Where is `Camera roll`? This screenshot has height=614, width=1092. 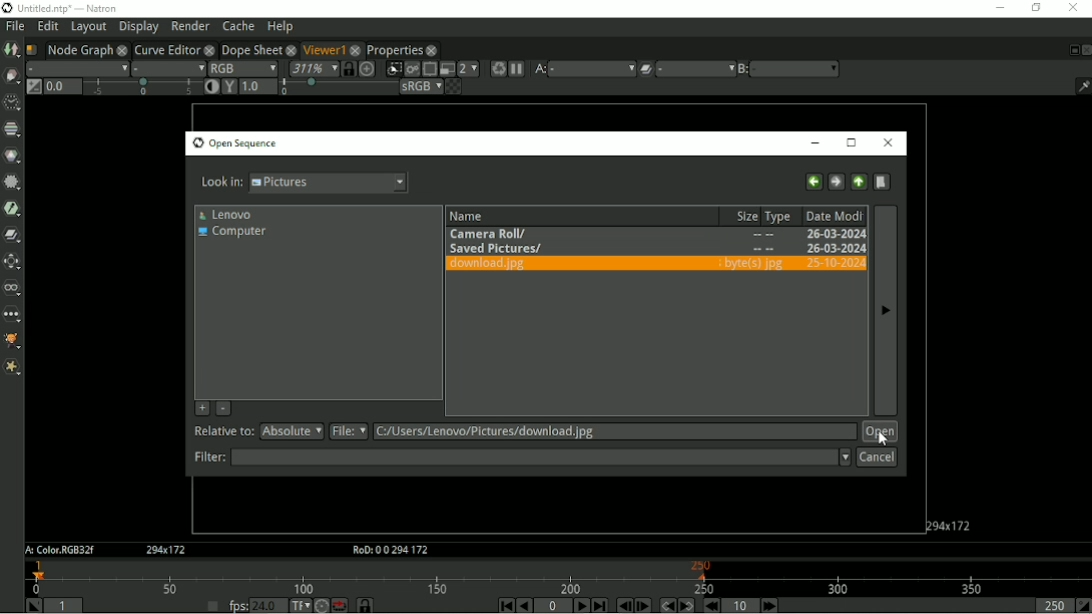
Camera roll is located at coordinates (655, 234).